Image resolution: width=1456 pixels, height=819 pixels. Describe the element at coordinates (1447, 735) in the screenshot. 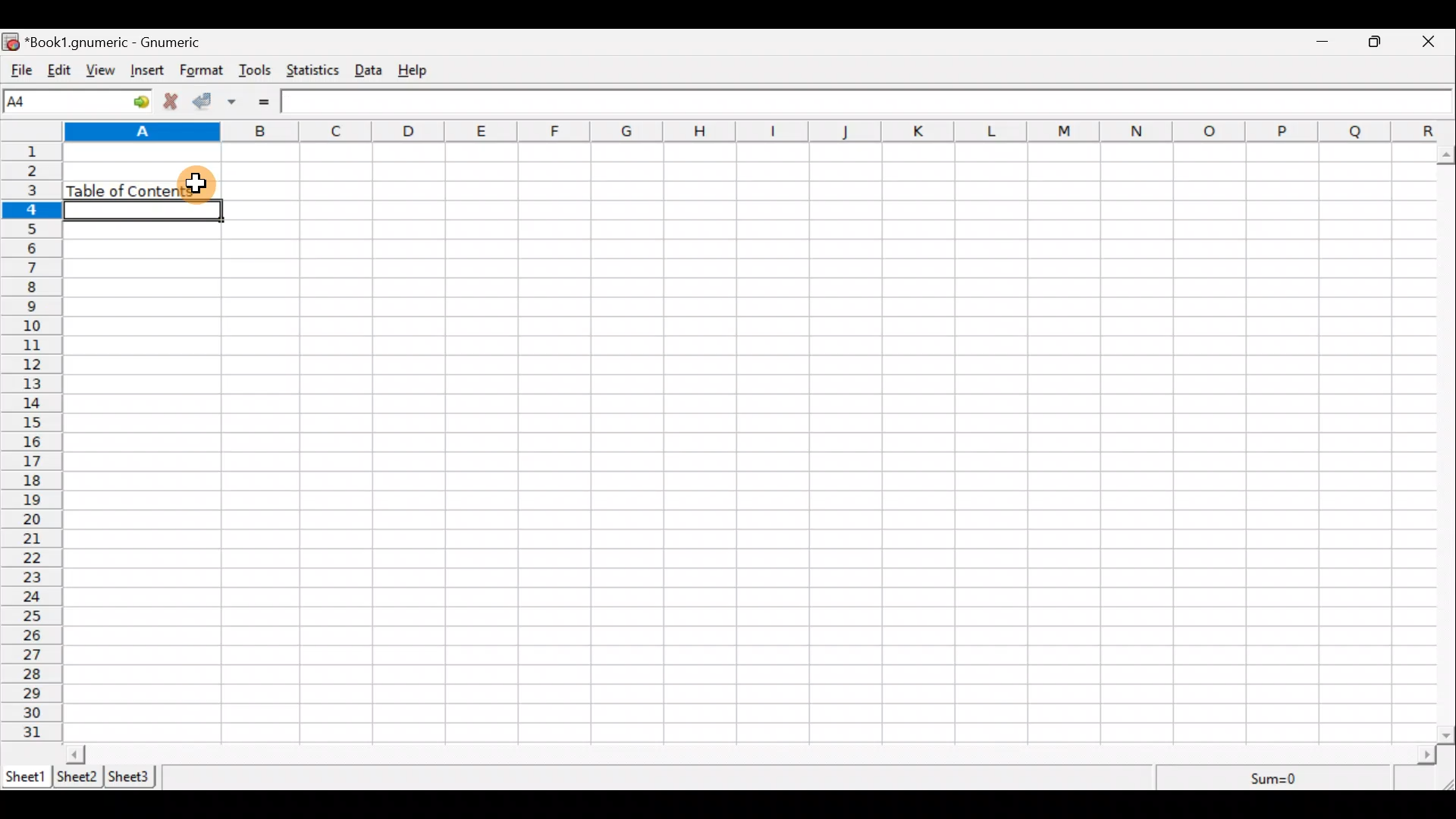

I see `scroll down` at that location.